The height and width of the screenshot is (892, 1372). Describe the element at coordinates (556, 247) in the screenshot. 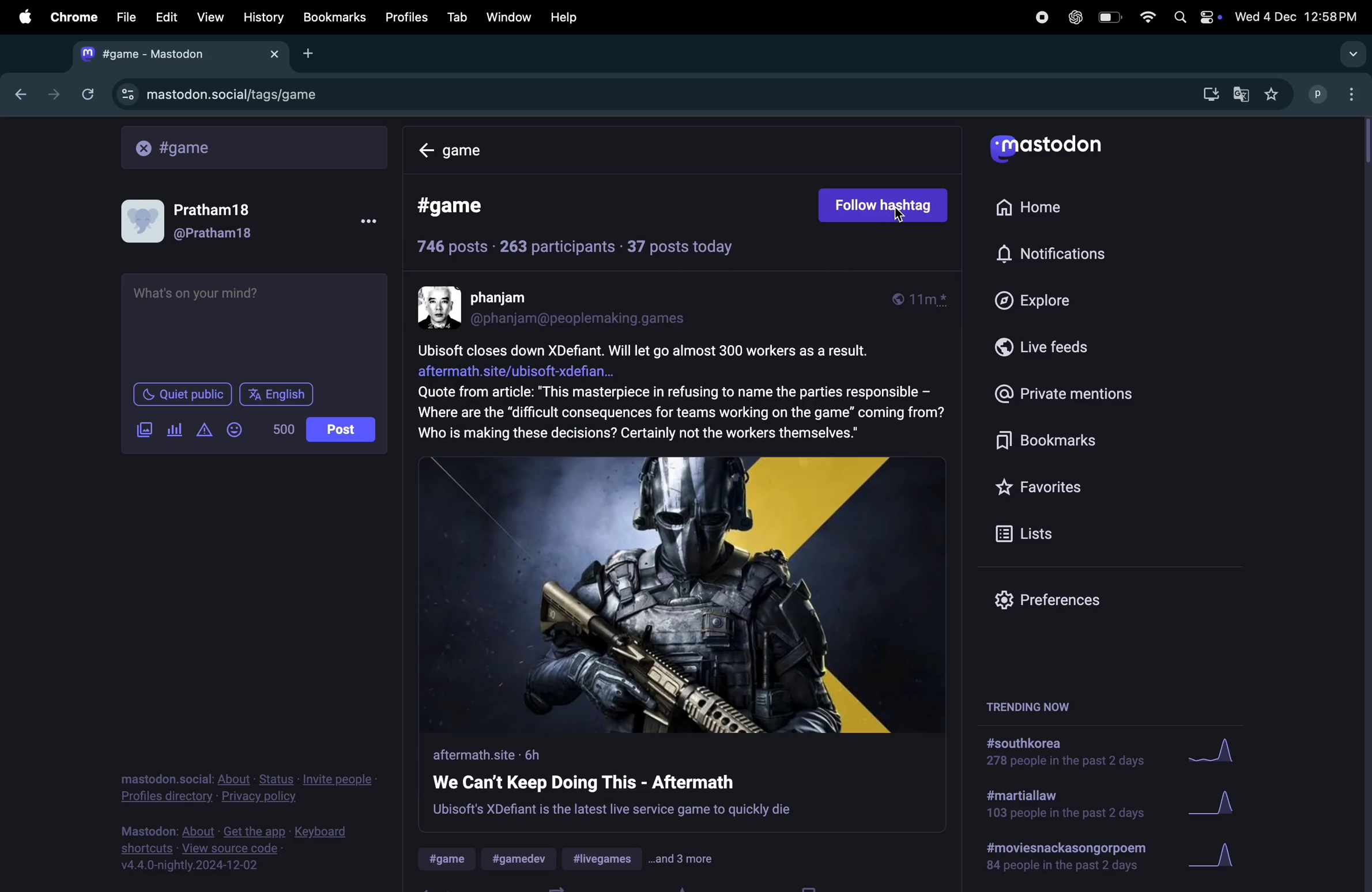

I see `263 participants` at that location.